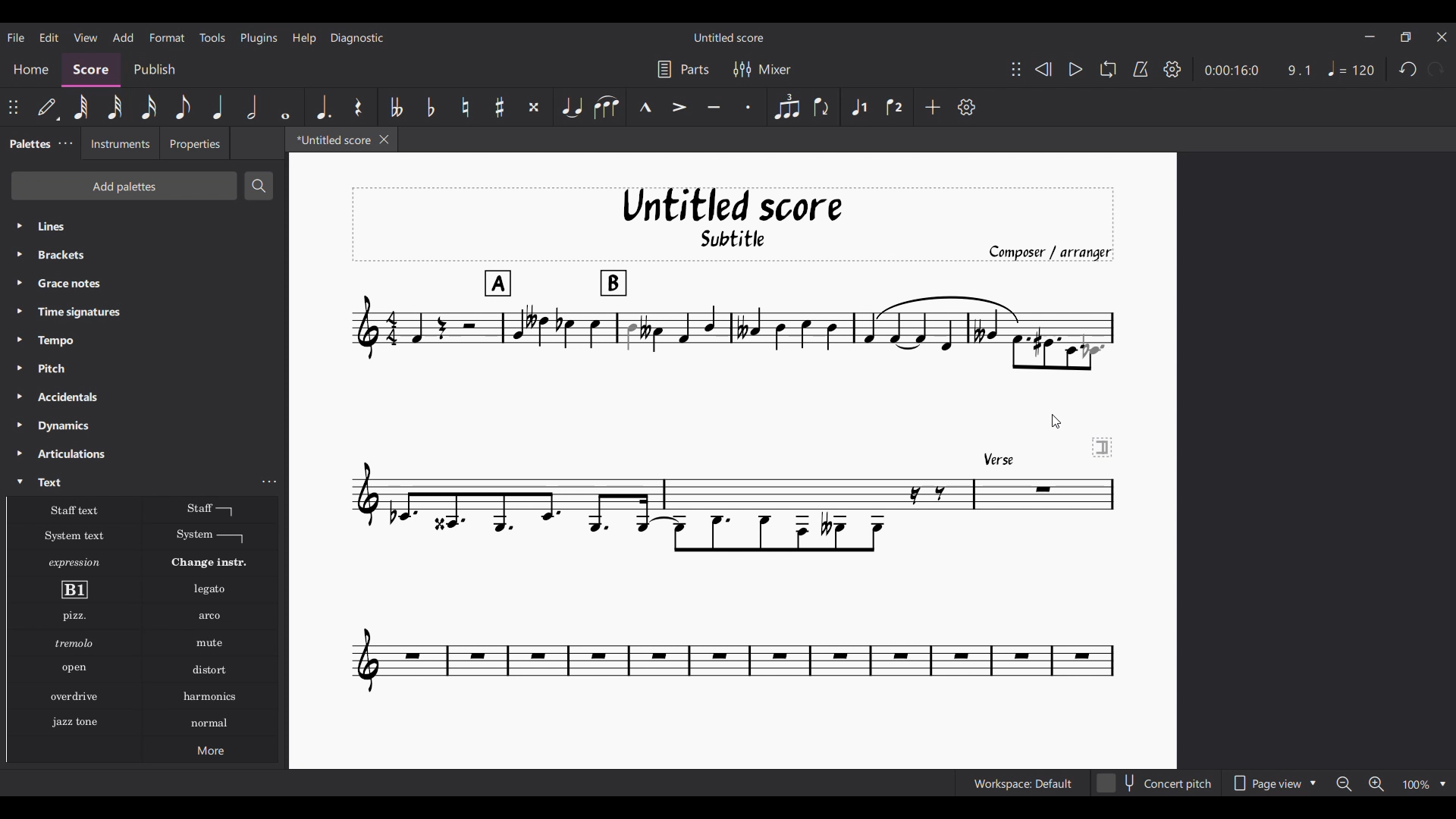  What do you see at coordinates (257, 186) in the screenshot?
I see `Search` at bounding box center [257, 186].